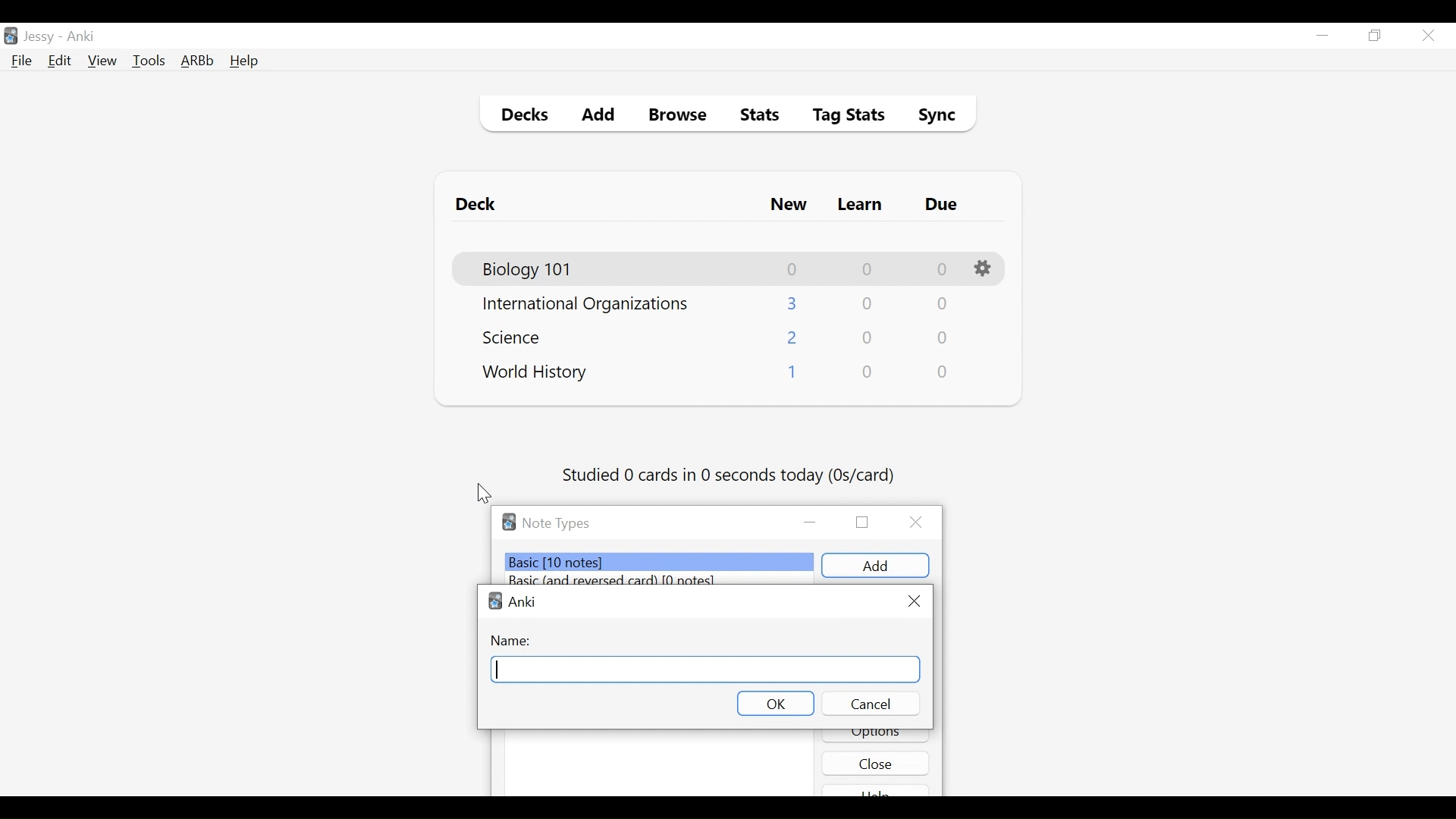 The height and width of the screenshot is (819, 1456). I want to click on Deck Name, so click(585, 305).